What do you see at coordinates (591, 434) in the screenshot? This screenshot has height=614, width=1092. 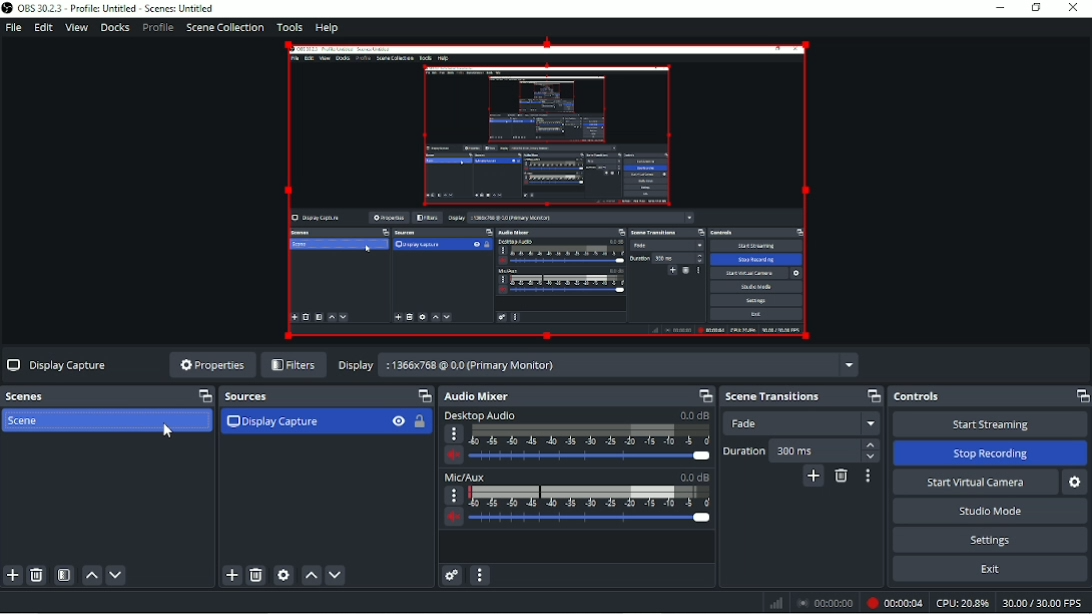 I see `Scale` at bounding box center [591, 434].